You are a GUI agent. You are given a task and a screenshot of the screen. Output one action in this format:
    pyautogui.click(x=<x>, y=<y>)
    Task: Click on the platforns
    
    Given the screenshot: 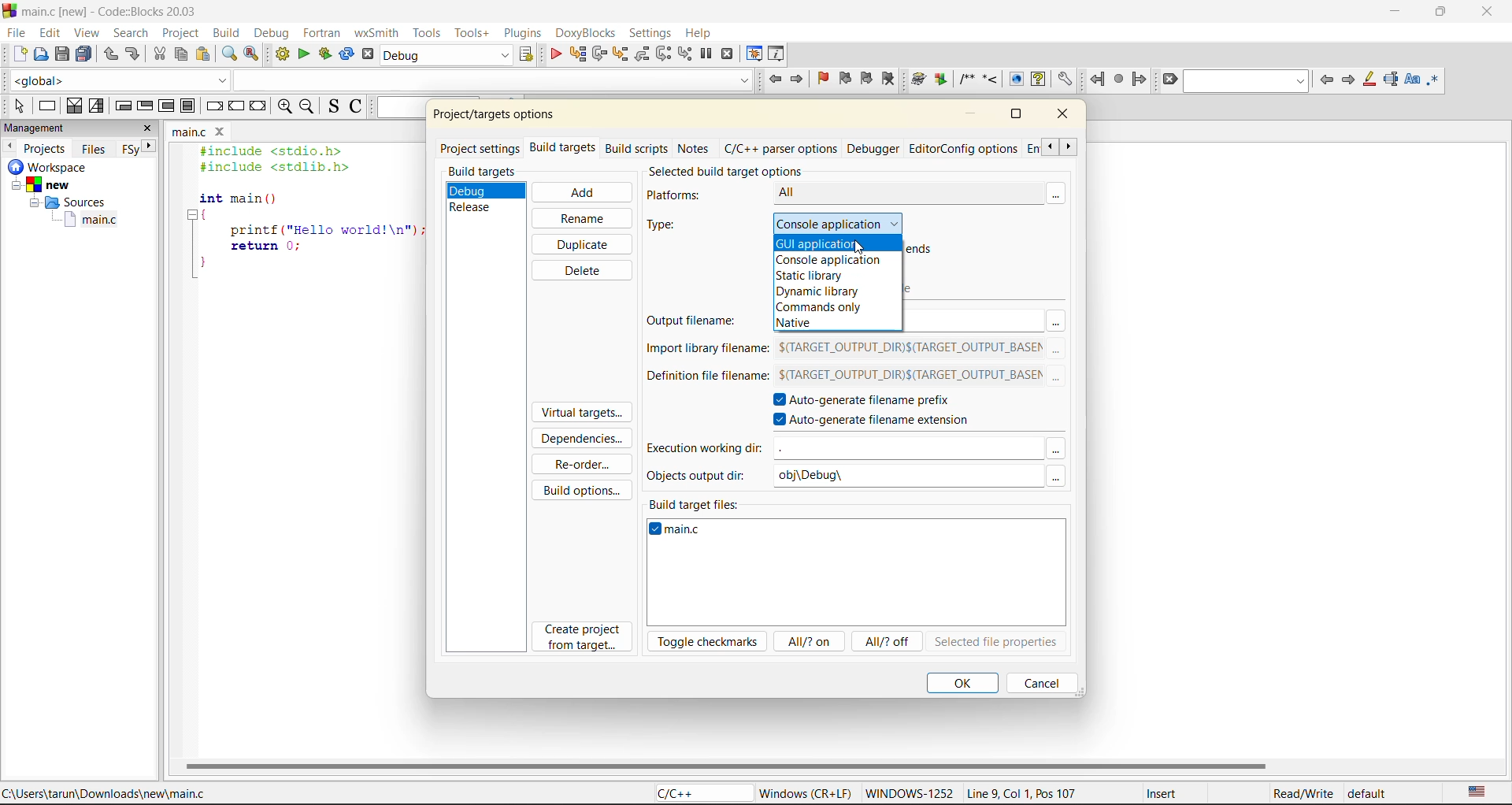 What is the action you would take?
    pyautogui.click(x=689, y=195)
    